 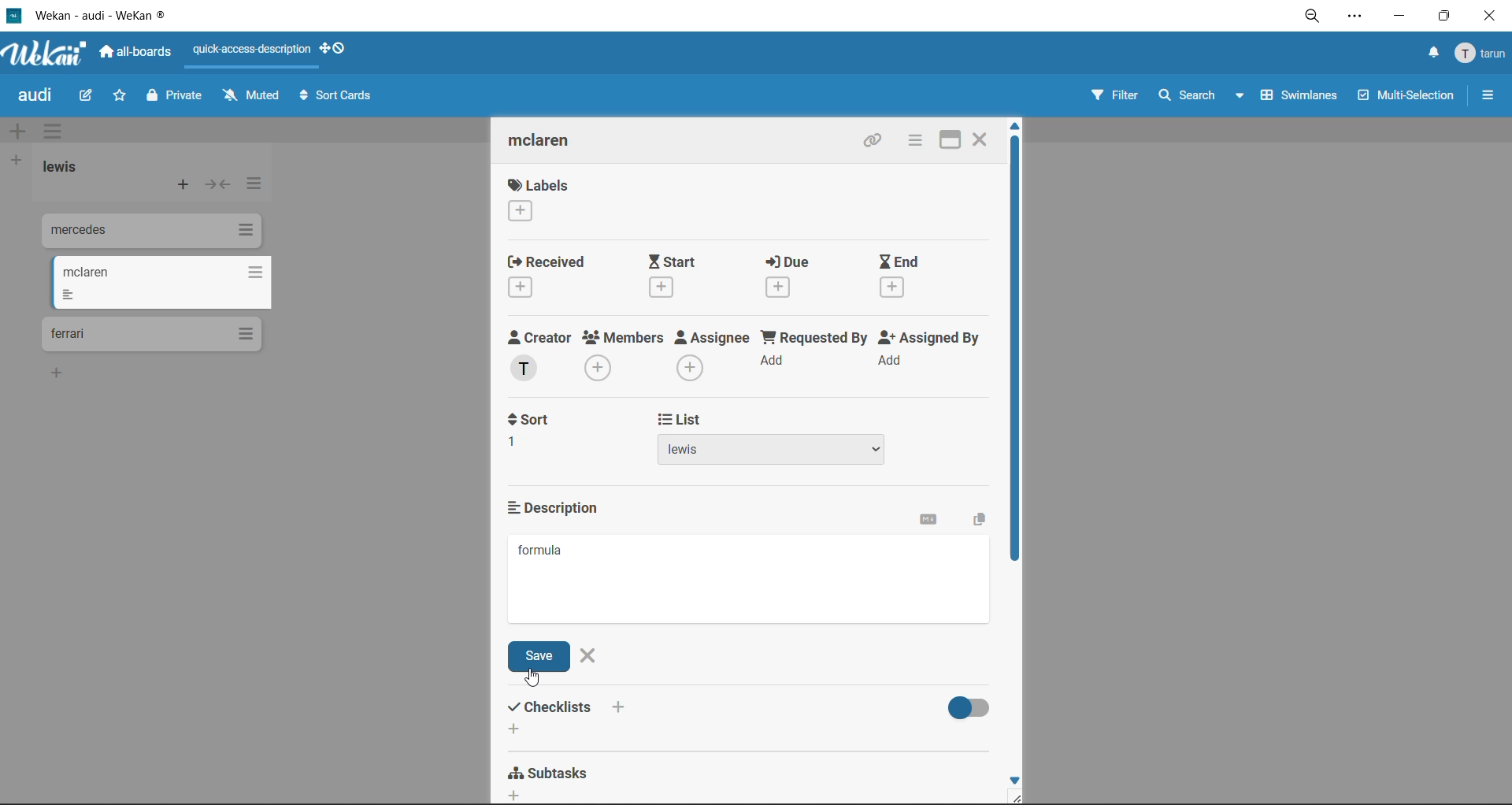 I want to click on save, so click(x=542, y=657).